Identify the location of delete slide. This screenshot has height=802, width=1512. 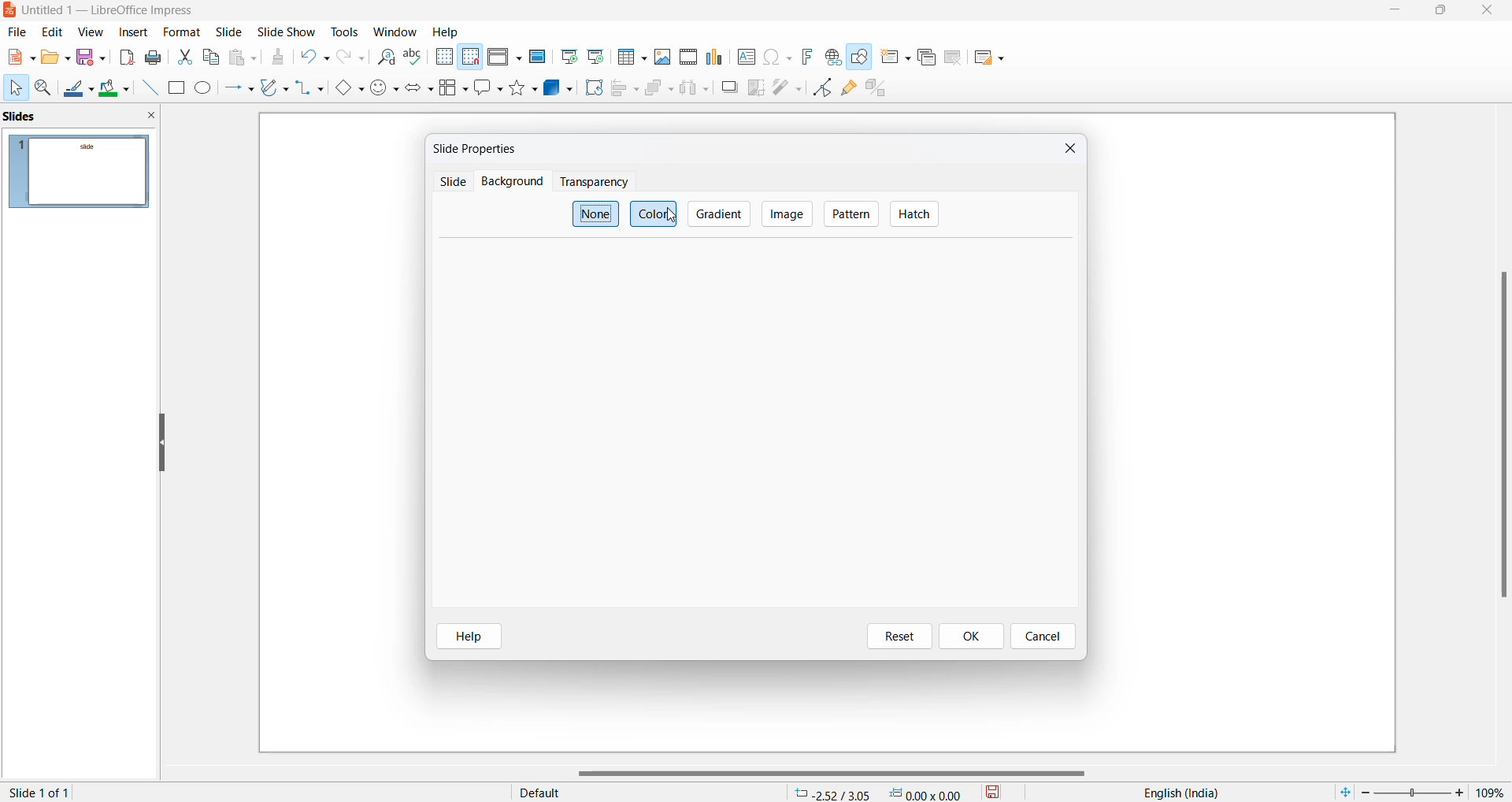
(953, 61).